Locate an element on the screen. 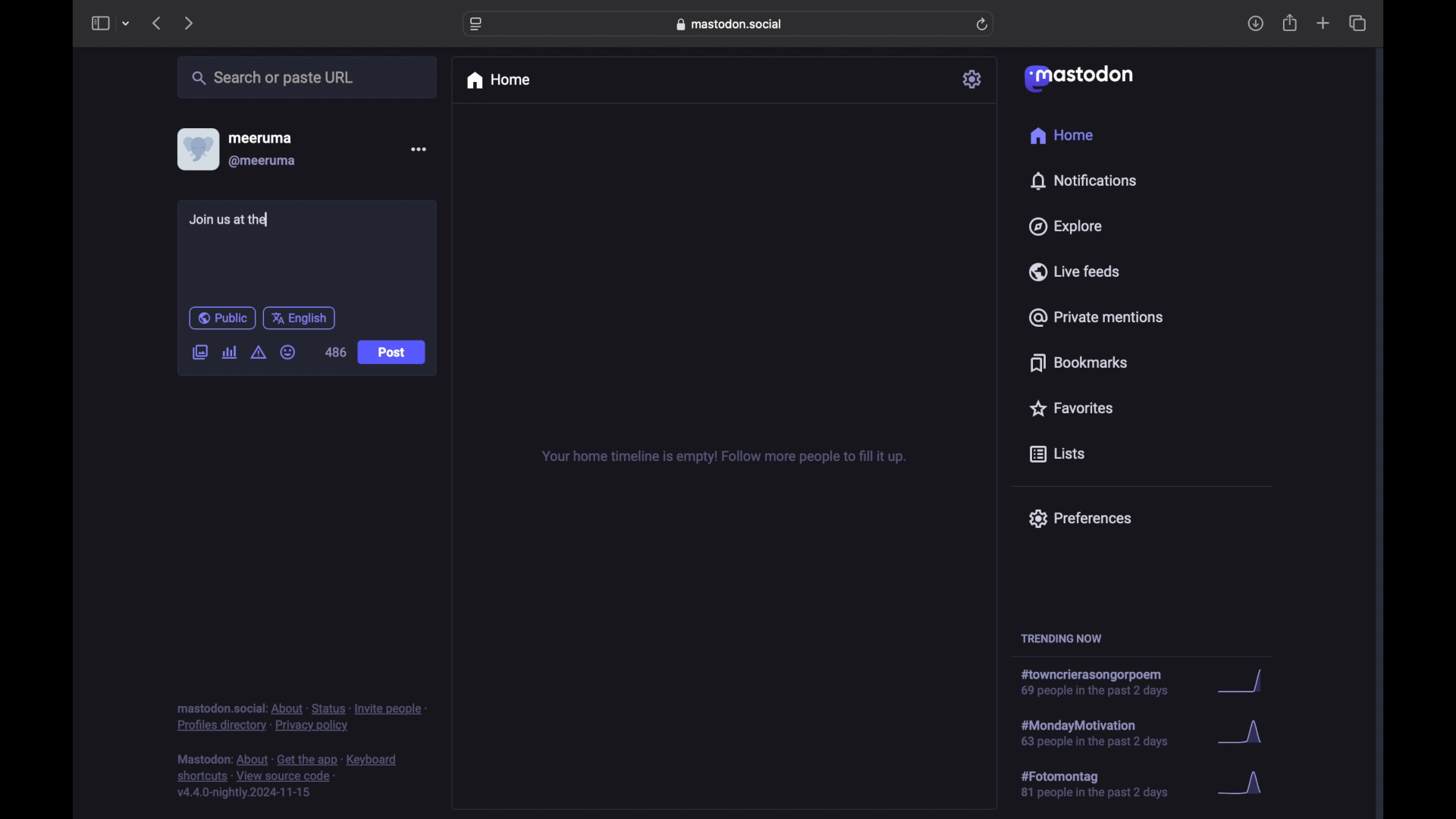  explore is located at coordinates (1064, 227).